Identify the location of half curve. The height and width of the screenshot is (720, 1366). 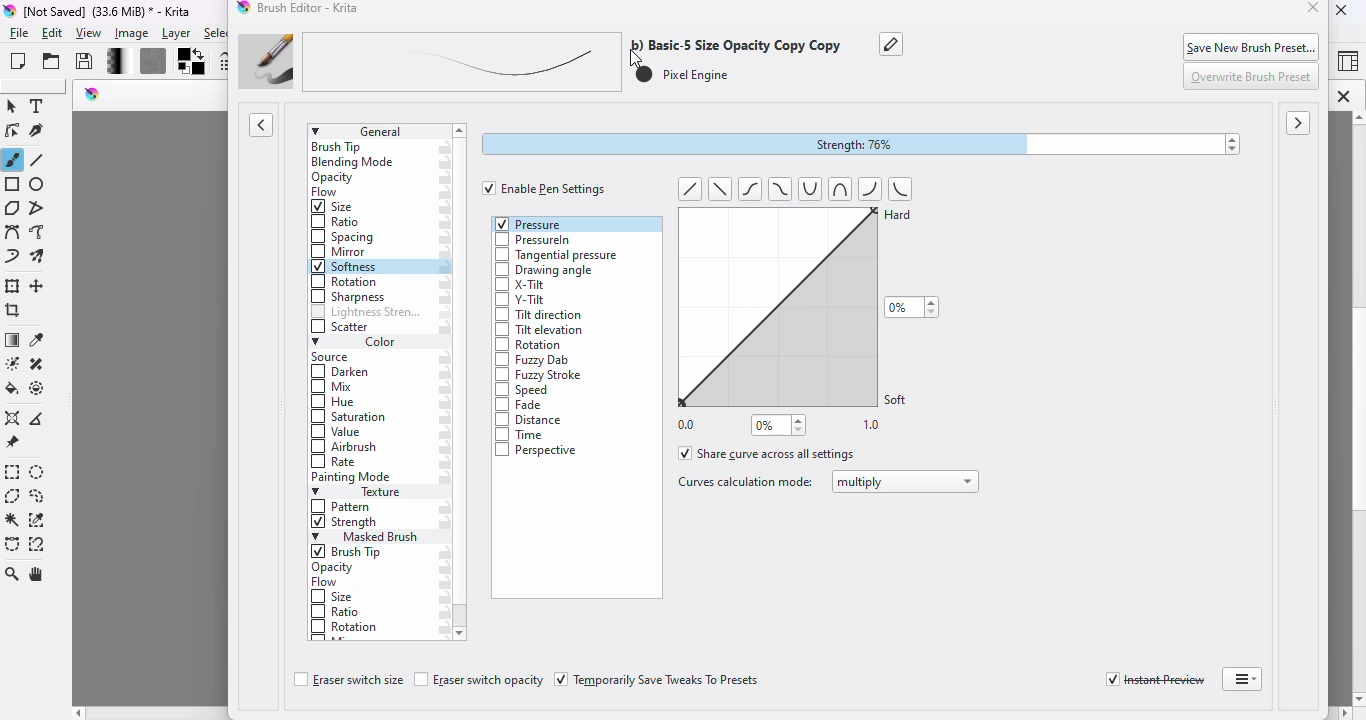
(903, 188).